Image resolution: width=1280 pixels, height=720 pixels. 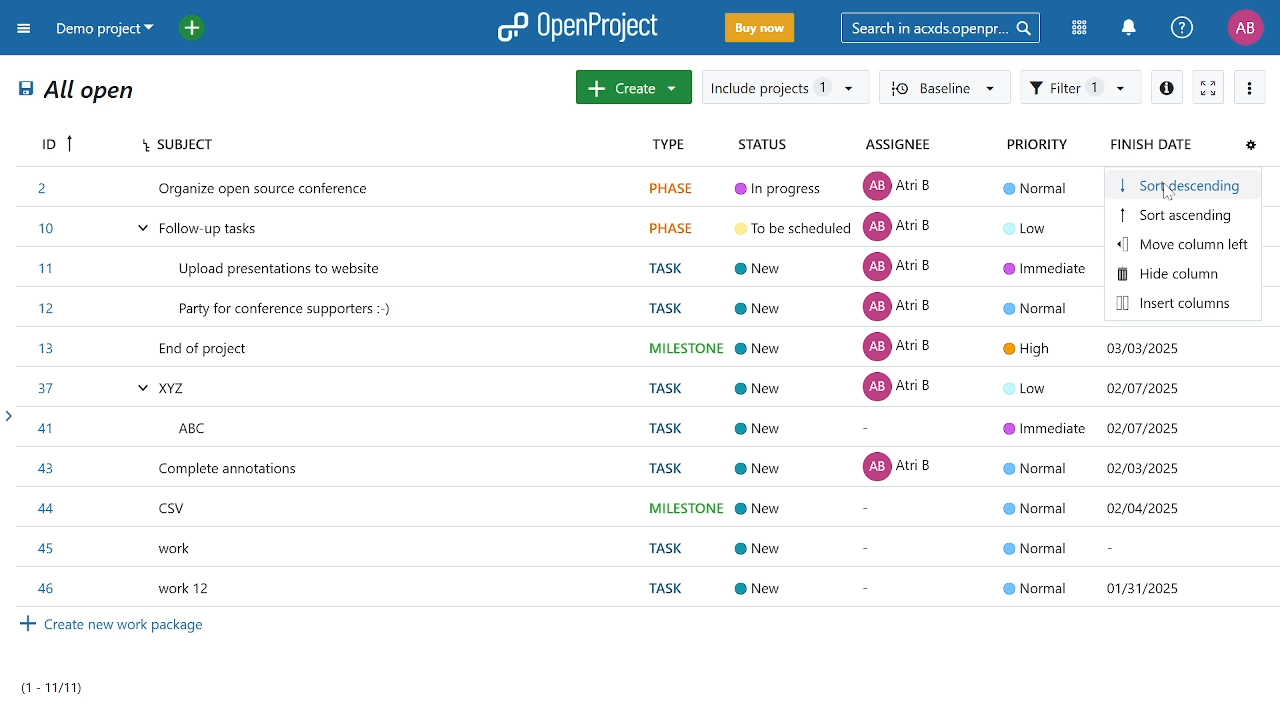 I want to click on task titled "Organize open source conference ", so click(x=564, y=187).